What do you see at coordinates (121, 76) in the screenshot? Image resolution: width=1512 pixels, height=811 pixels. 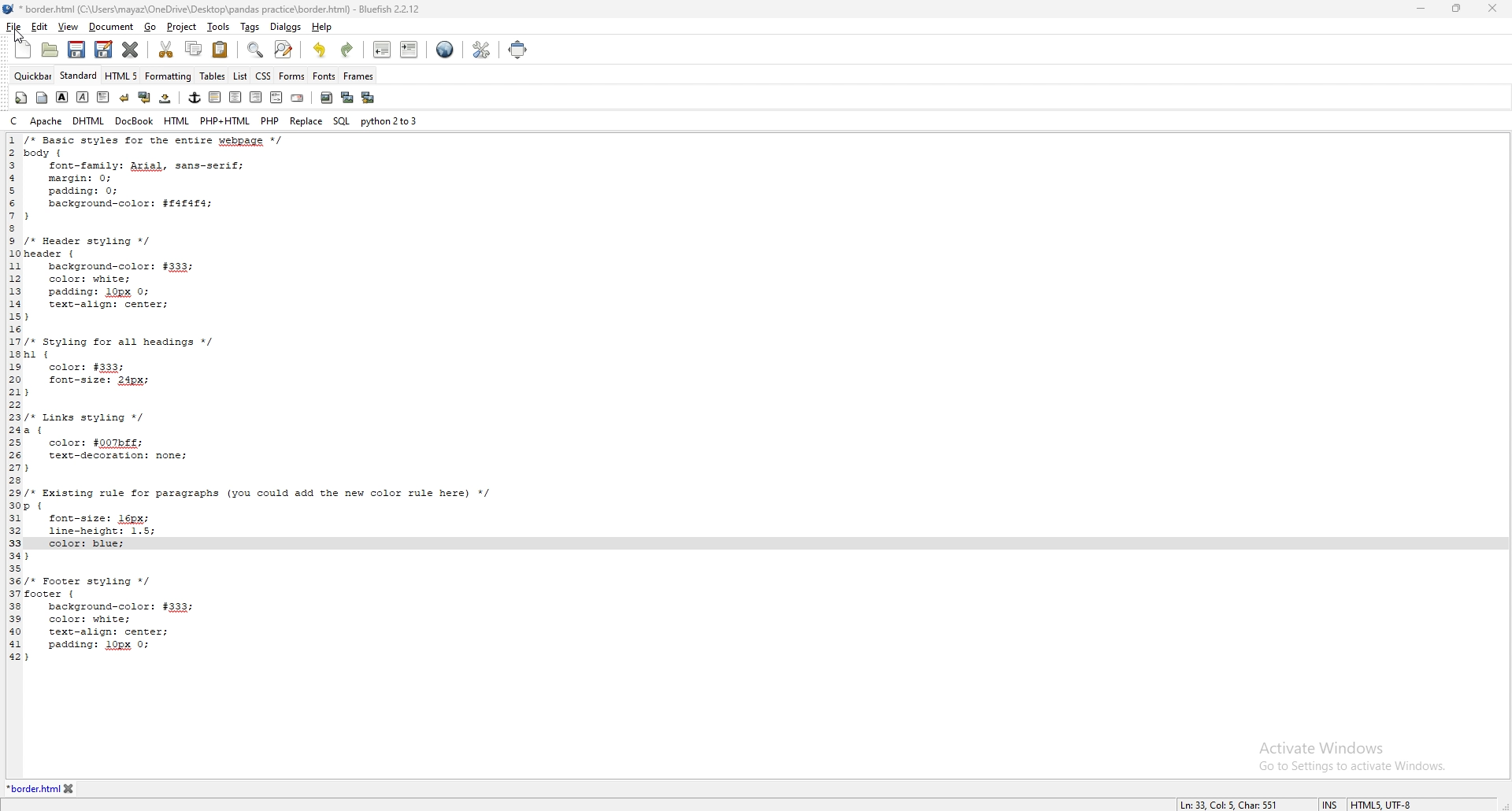 I see `html 5` at bounding box center [121, 76].